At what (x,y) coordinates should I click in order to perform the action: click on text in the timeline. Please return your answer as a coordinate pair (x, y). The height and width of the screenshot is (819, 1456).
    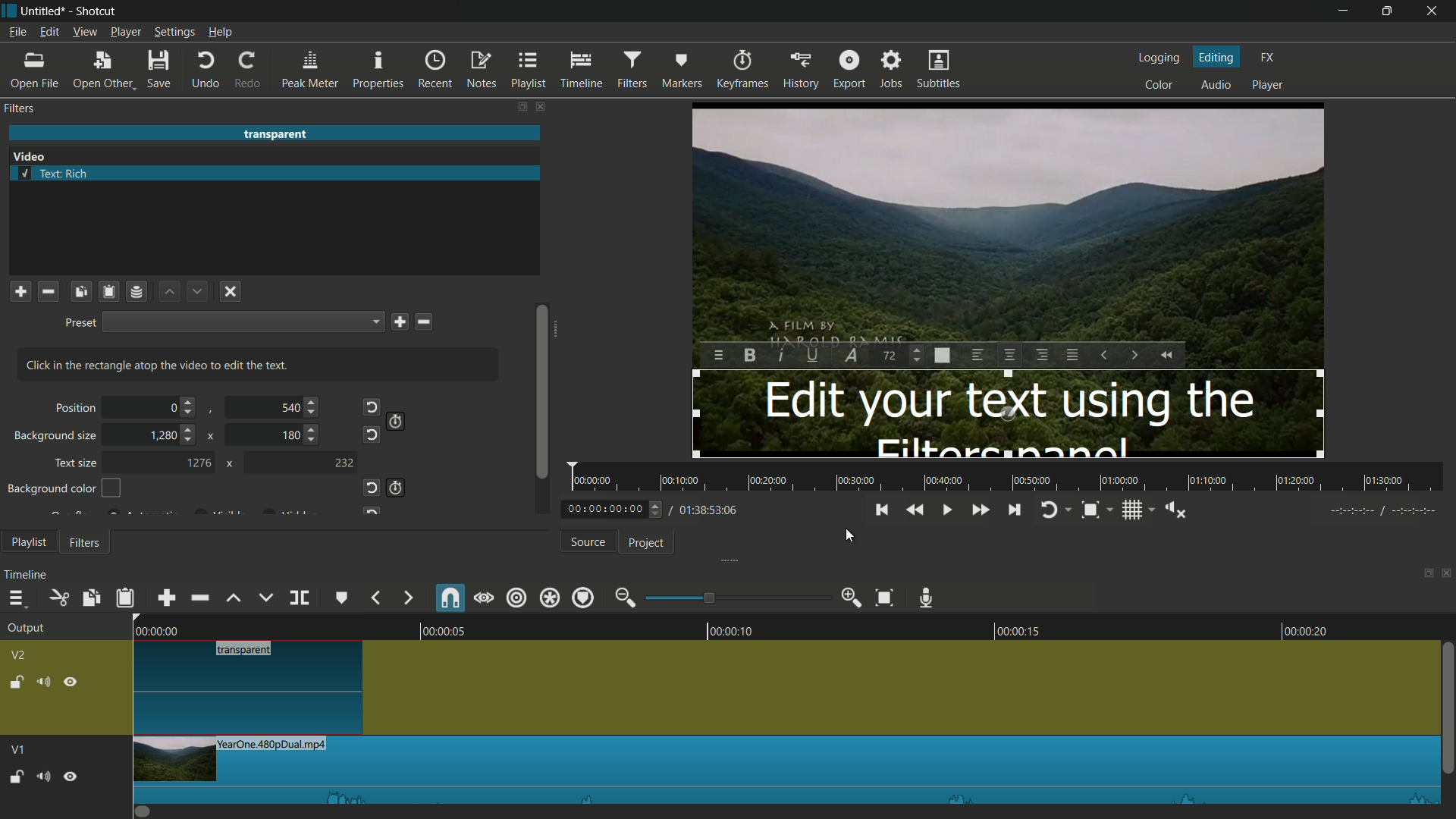
    Looking at the image, I should click on (252, 688).